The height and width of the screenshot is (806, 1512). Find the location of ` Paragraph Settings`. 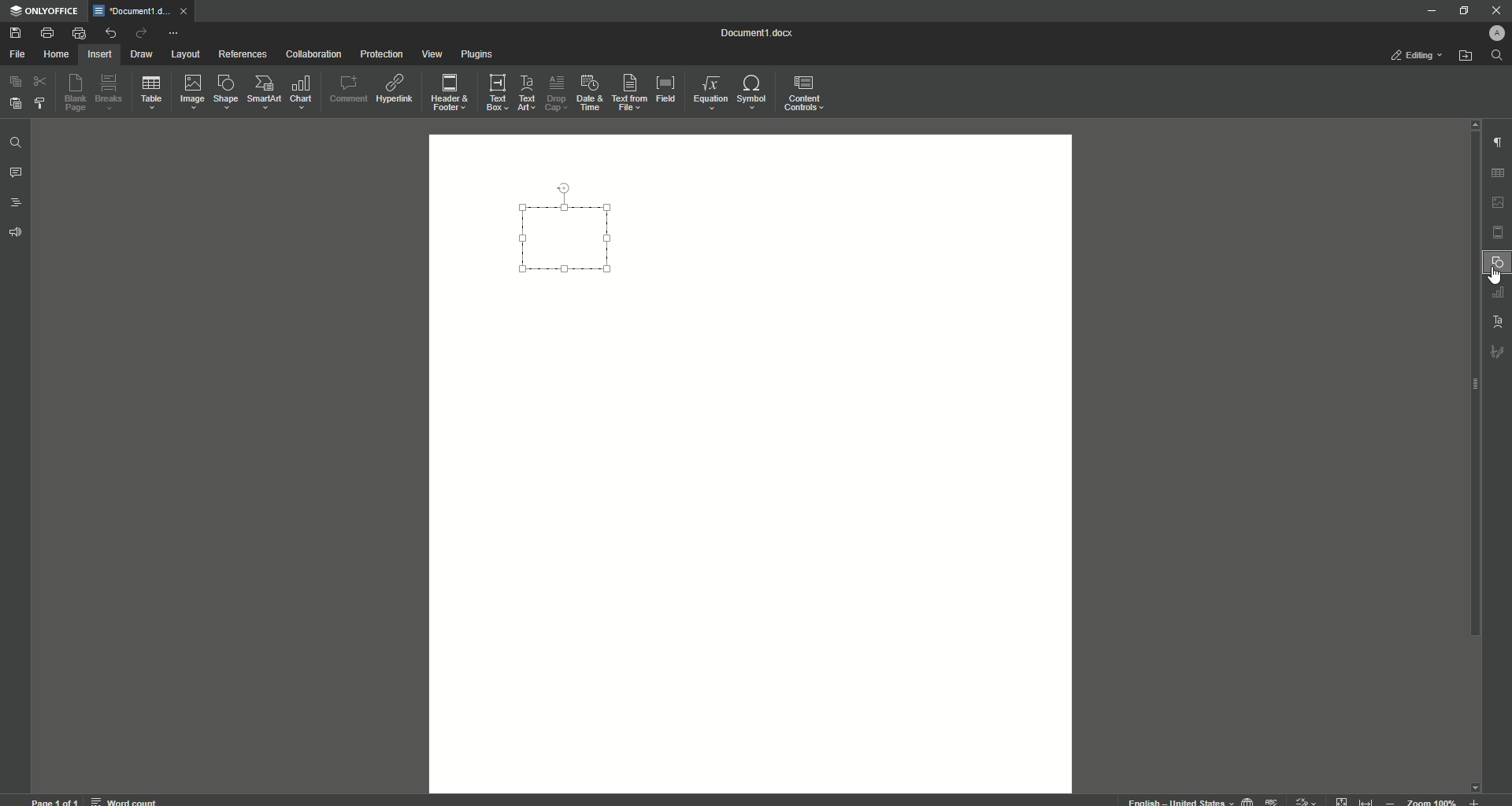

 Paragraph Settings is located at coordinates (1496, 142).